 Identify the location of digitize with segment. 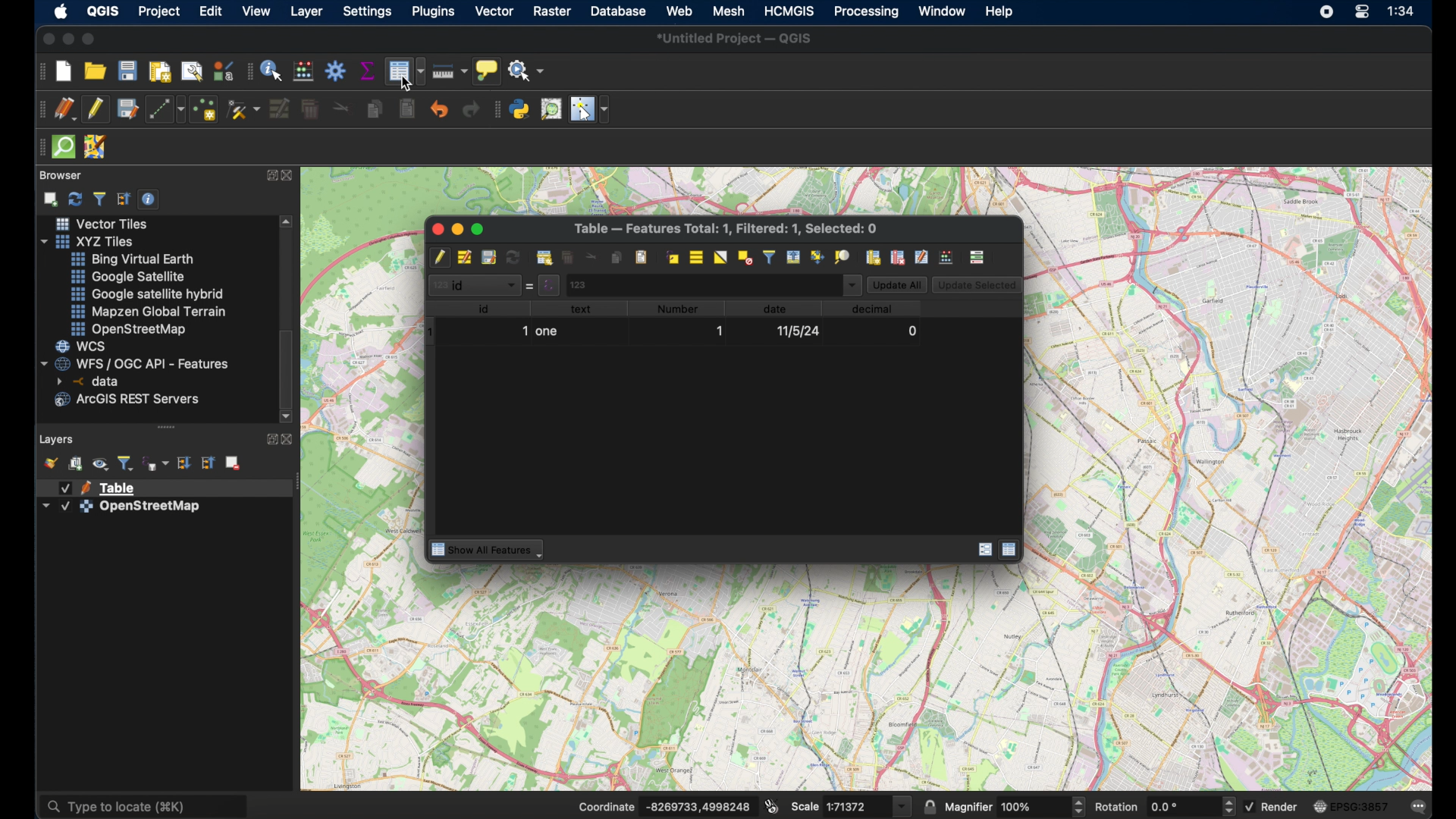
(165, 109).